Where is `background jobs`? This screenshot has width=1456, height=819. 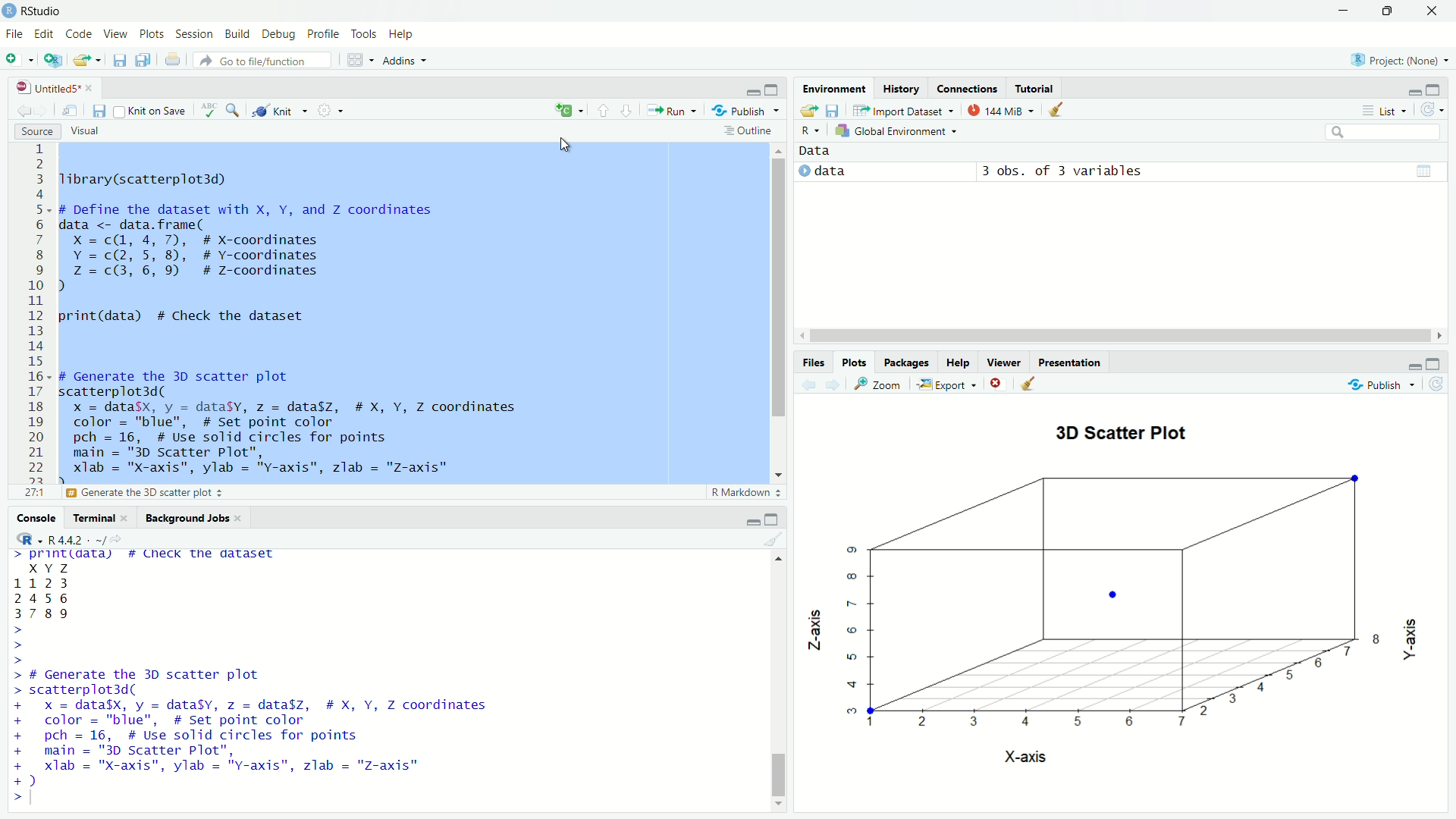
background jobs is located at coordinates (186, 518).